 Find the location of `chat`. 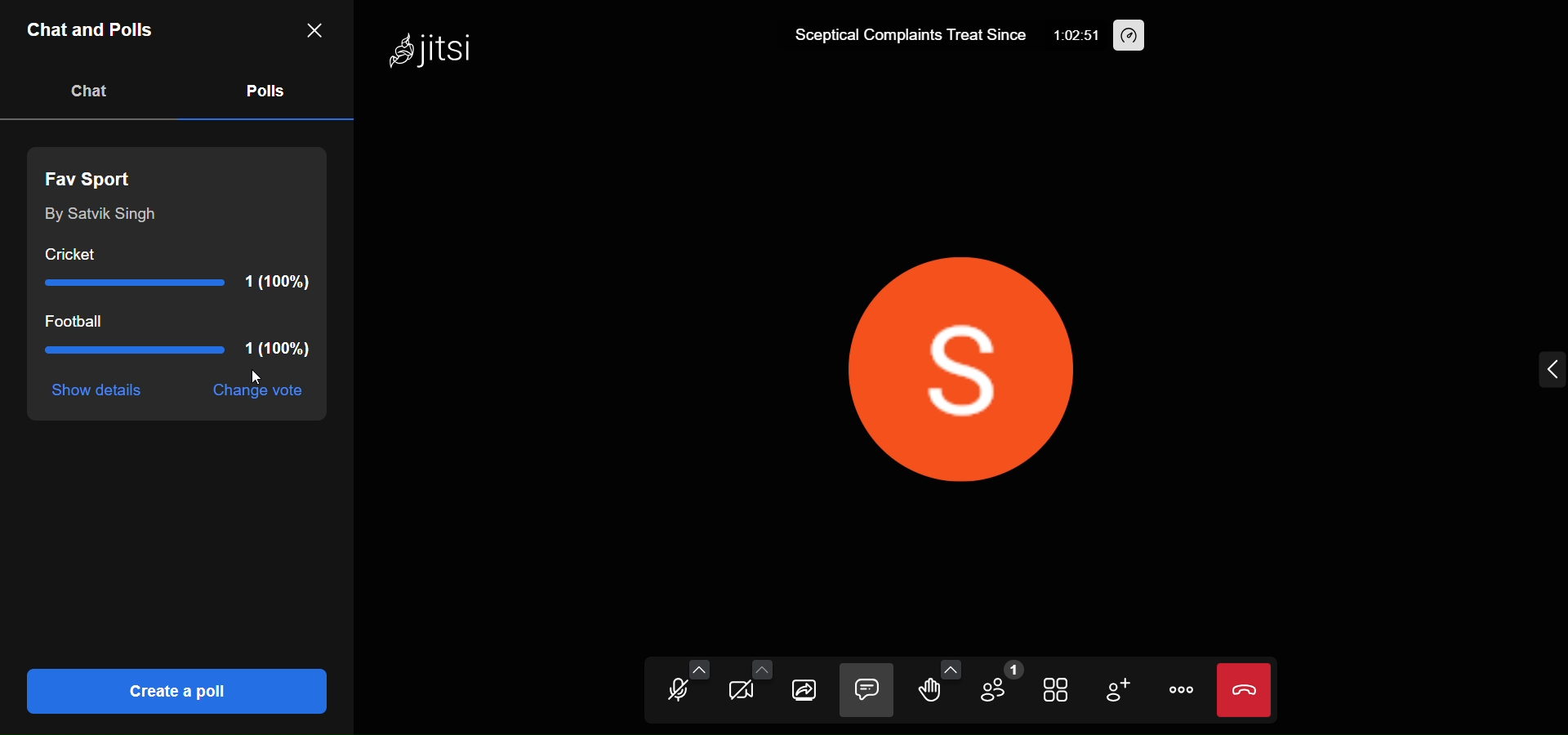

chat is located at coordinates (866, 691).